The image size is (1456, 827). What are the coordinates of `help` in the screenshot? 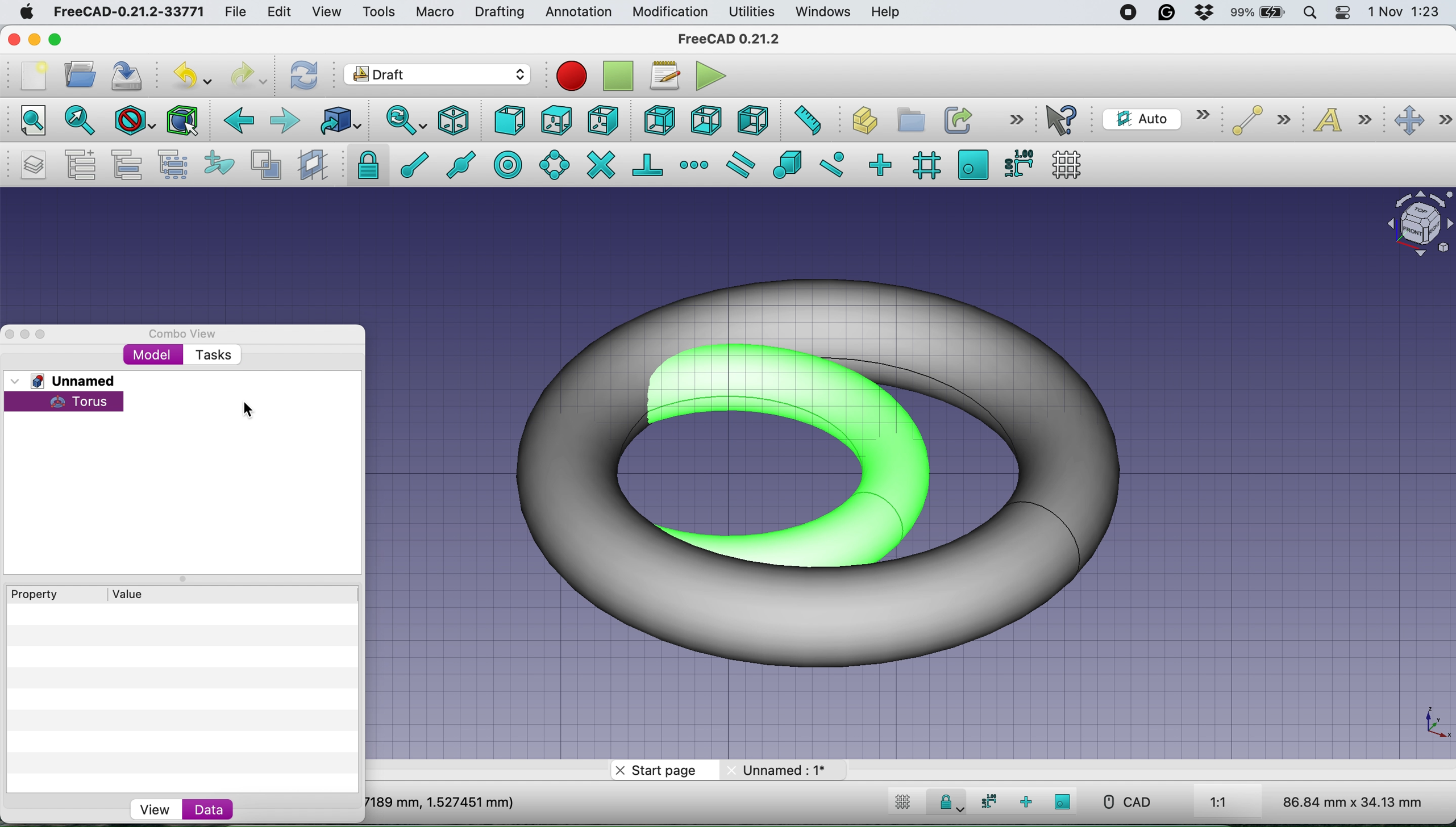 It's located at (883, 12).